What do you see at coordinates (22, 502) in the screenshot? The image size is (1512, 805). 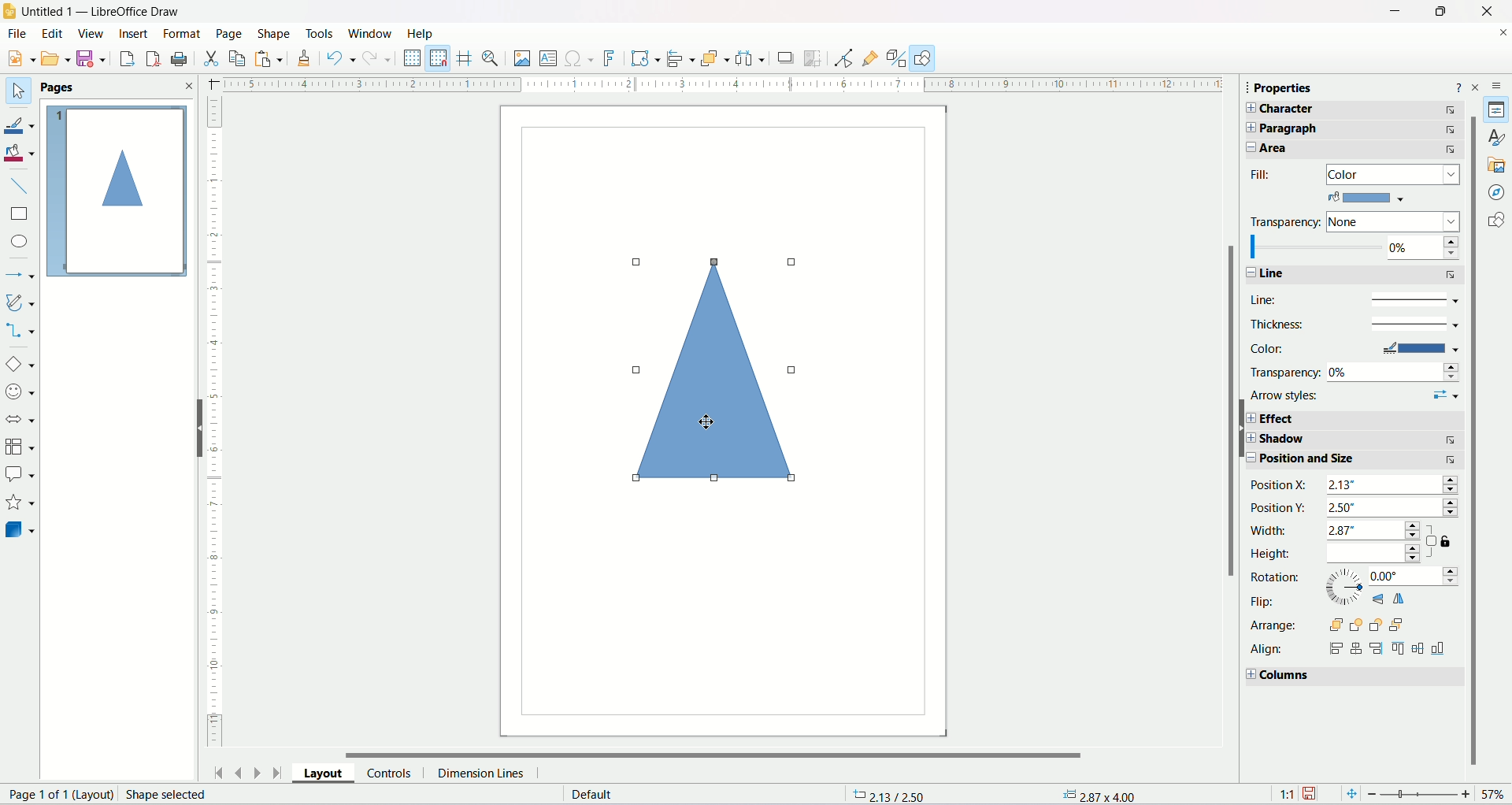 I see `Stars and Banners` at bounding box center [22, 502].